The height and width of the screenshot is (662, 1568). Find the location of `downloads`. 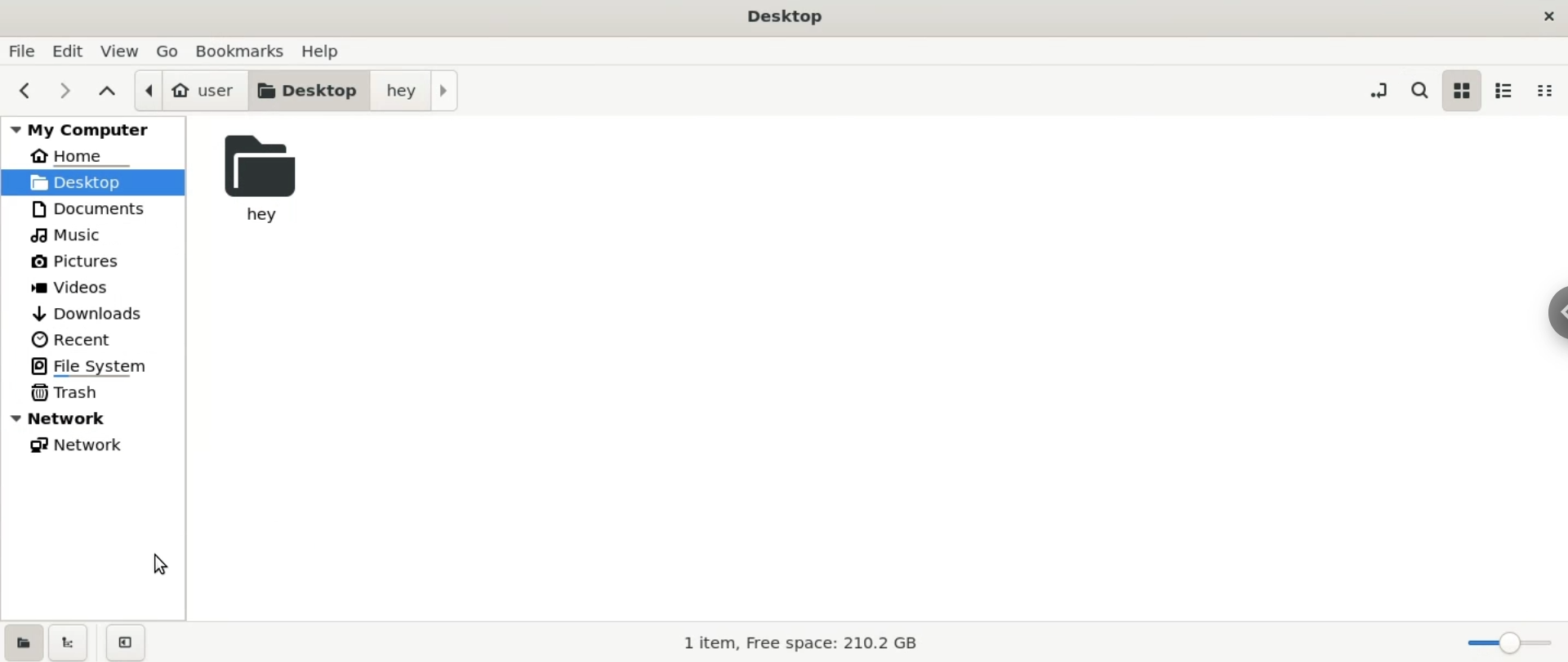

downloads is located at coordinates (90, 311).